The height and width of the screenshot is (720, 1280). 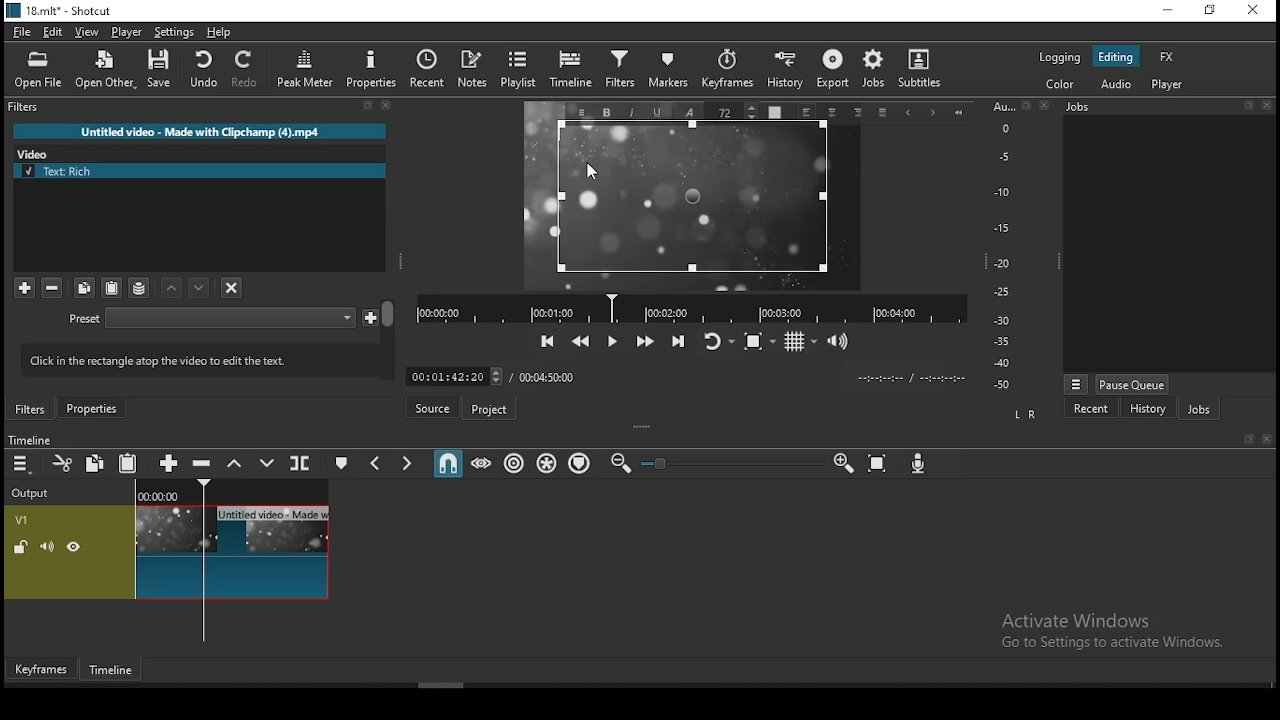 I want to click on previous marker, so click(x=378, y=461).